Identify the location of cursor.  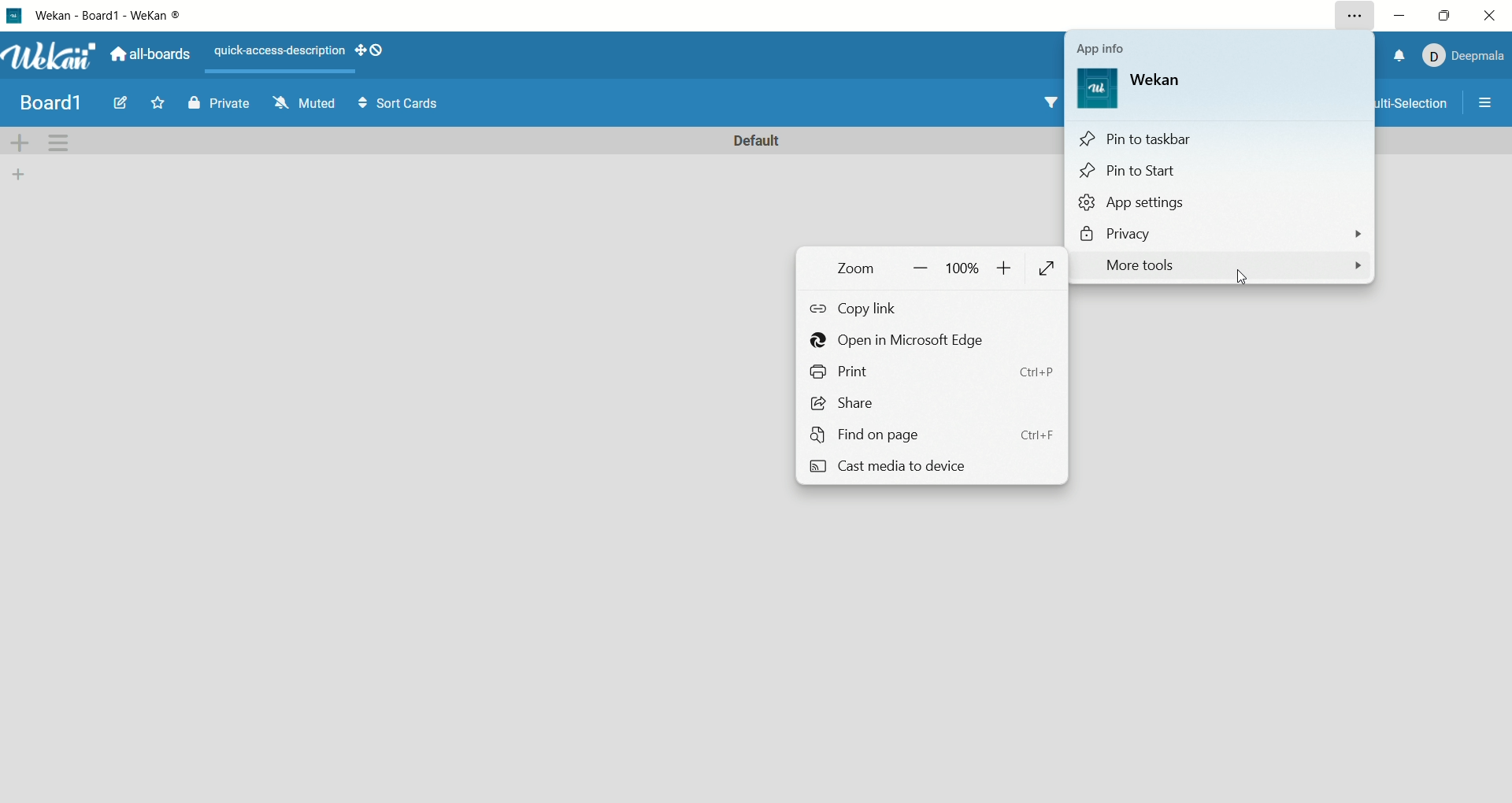
(1246, 277).